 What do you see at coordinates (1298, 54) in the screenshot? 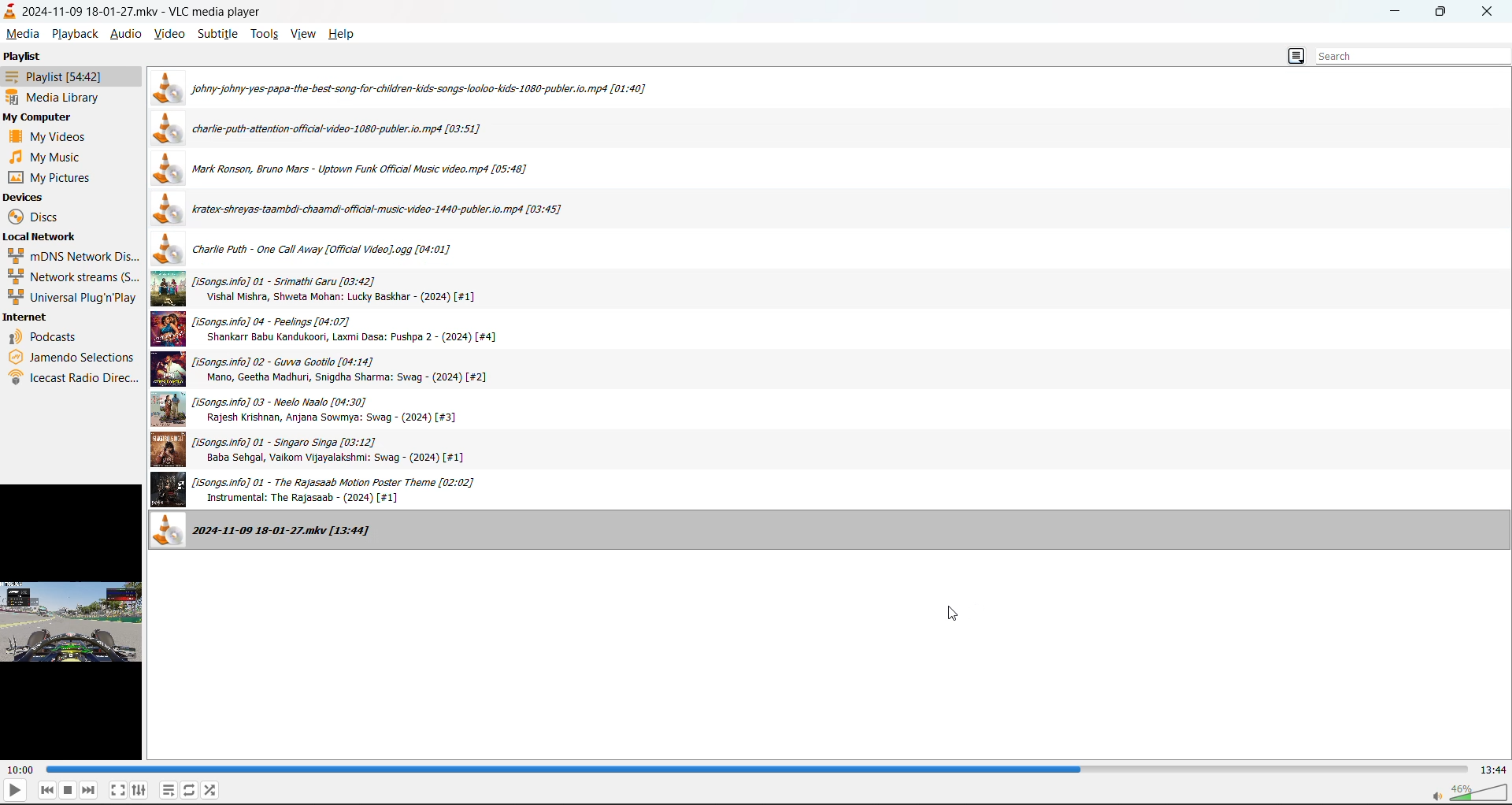
I see `change view` at bounding box center [1298, 54].